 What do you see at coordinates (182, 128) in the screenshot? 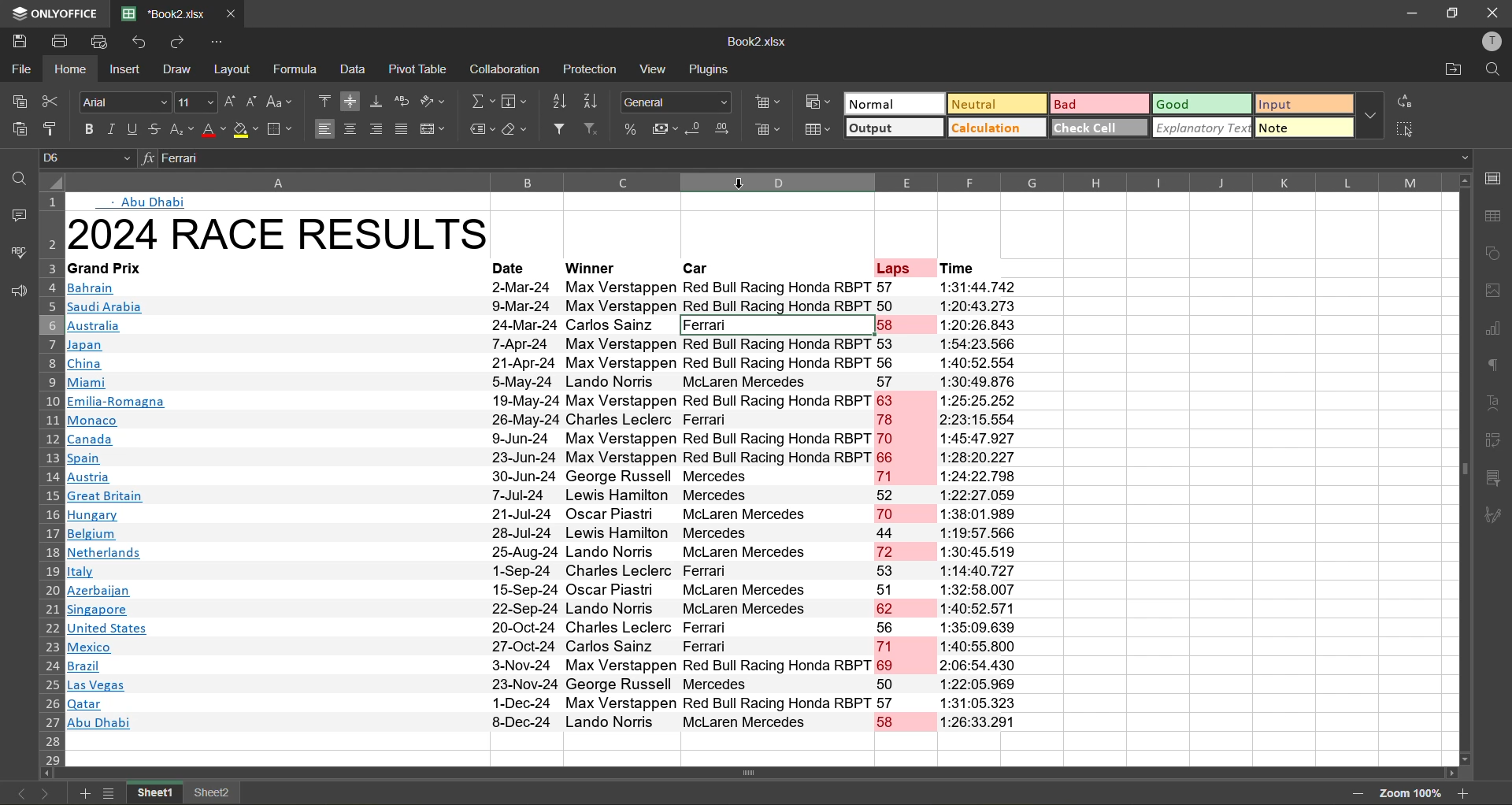
I see `sub\superscript` at bounding box center [182, 128].